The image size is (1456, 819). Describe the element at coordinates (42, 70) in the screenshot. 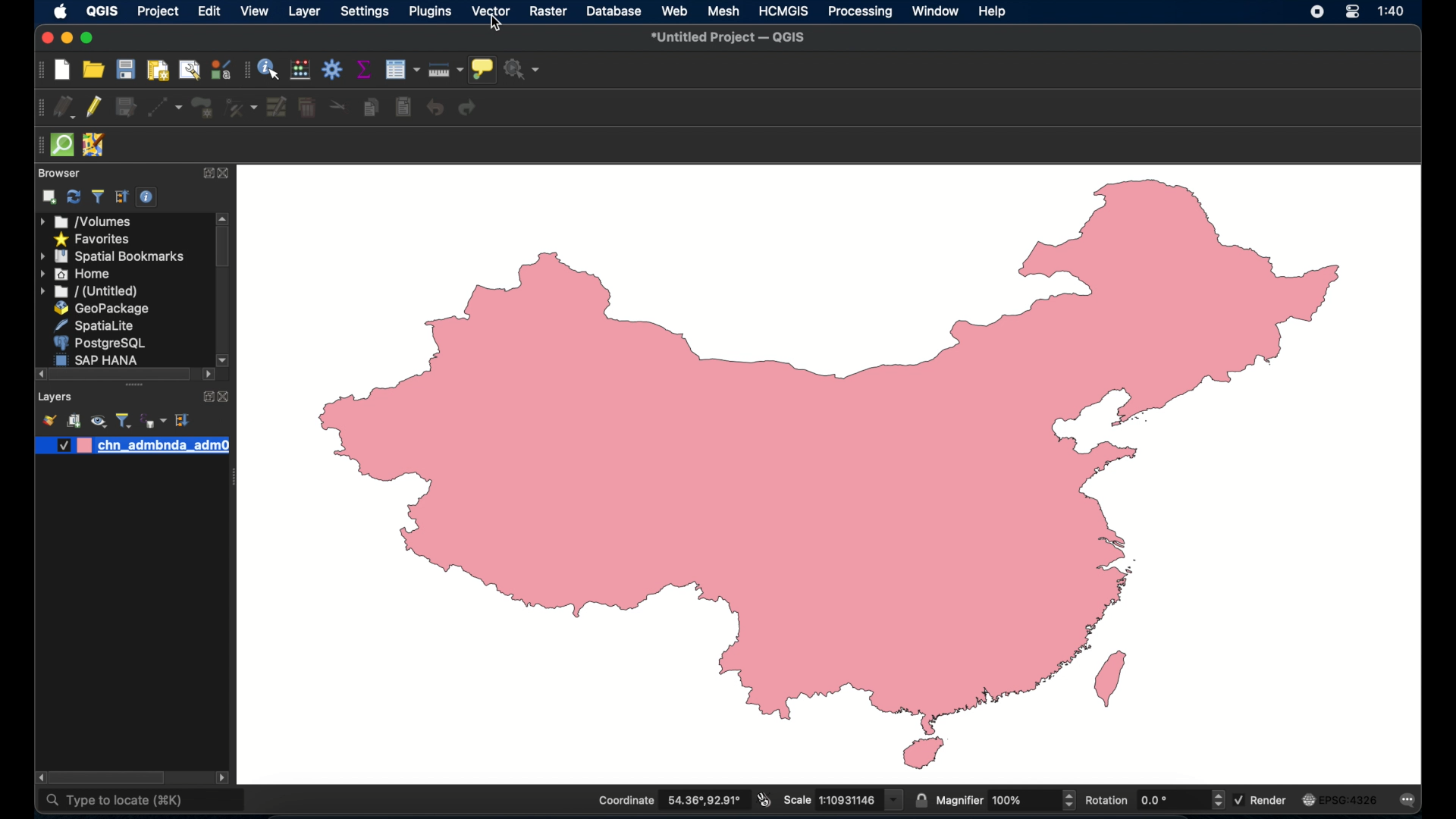

I see `project toolbar` at that location.